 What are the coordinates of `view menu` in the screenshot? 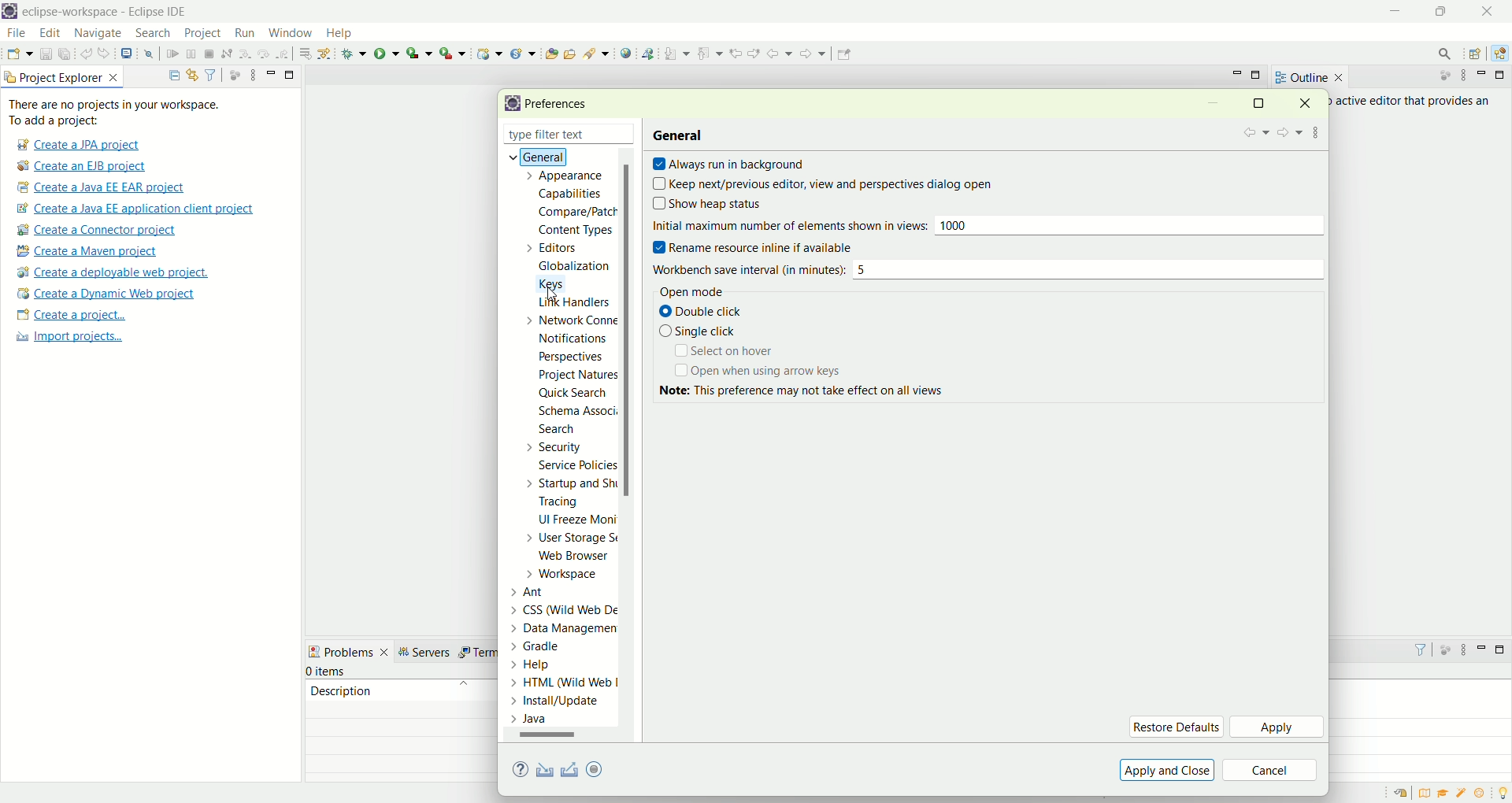 It's located at (1462, 76).